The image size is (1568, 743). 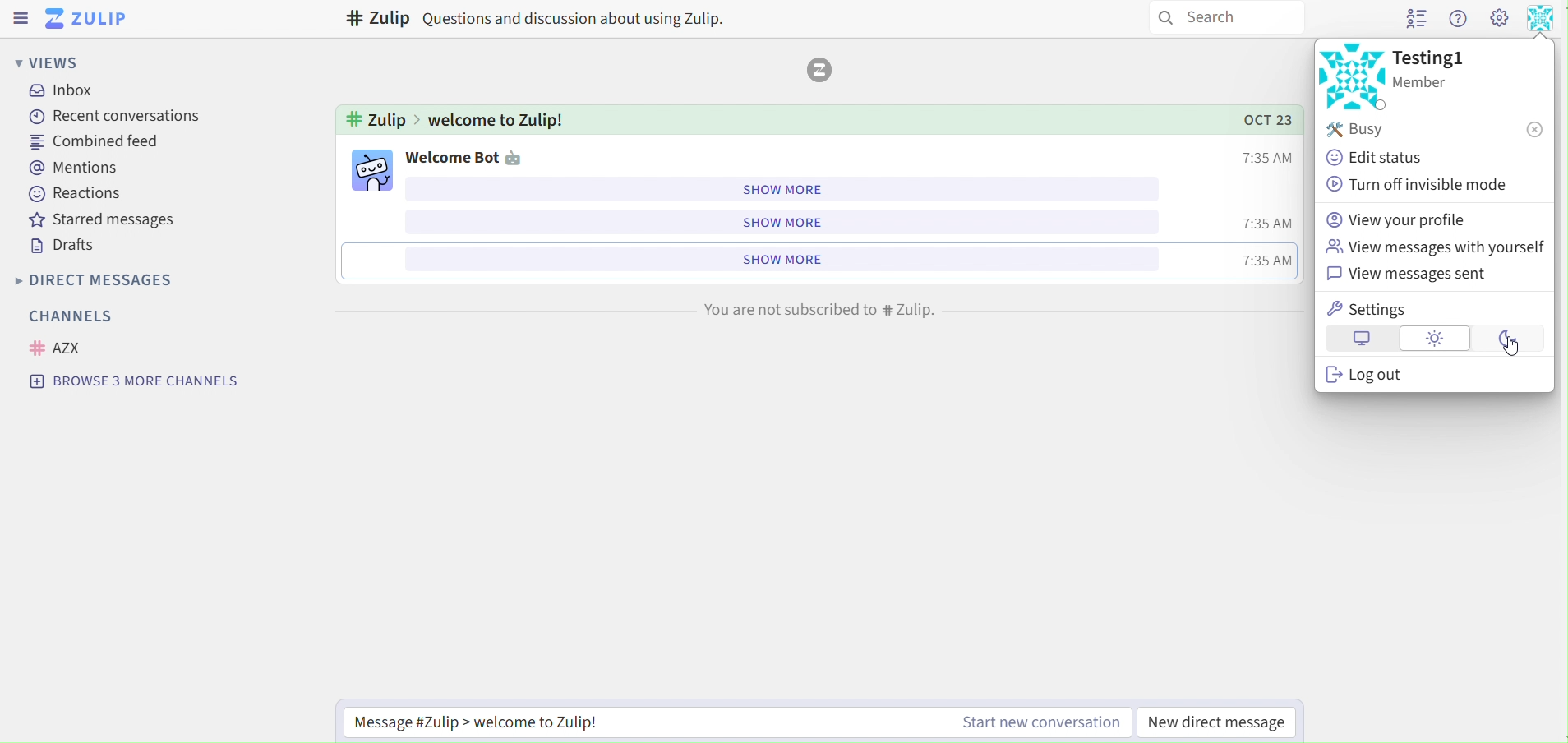 I want to click on OCT 23, so click(x=1257, y=119).